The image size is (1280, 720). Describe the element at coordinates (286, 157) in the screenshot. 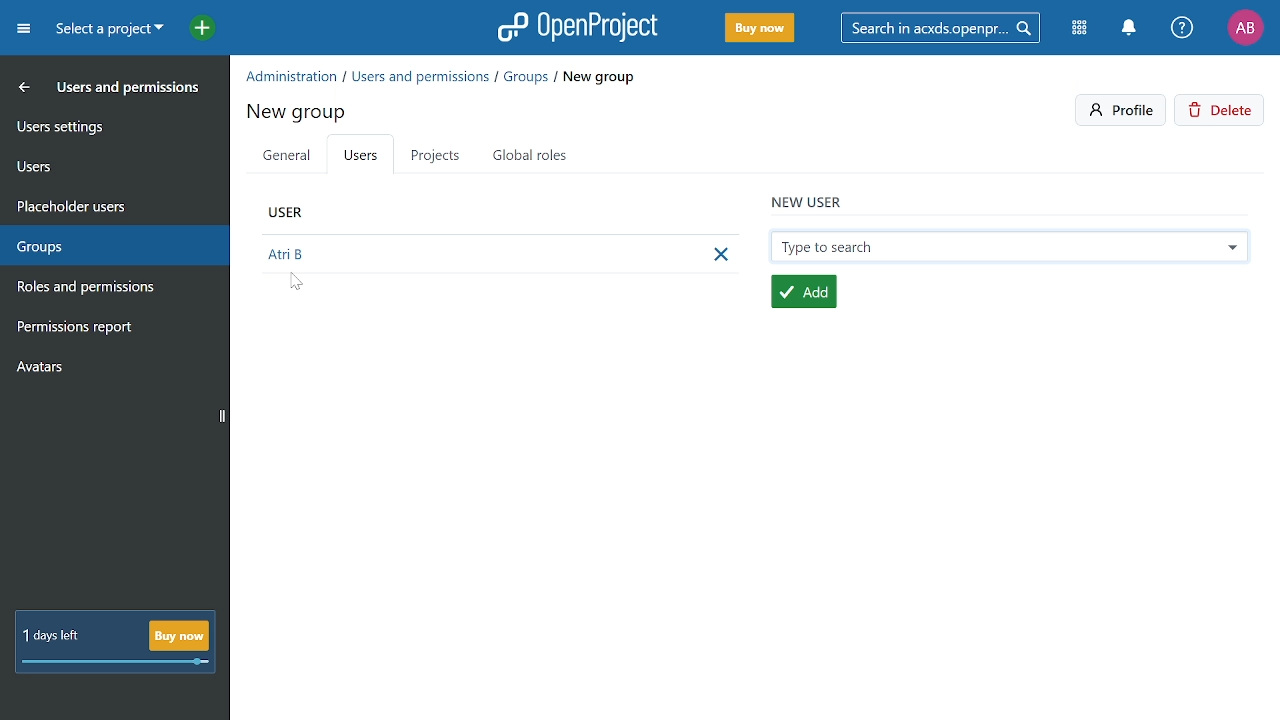

I see `General` at that location.